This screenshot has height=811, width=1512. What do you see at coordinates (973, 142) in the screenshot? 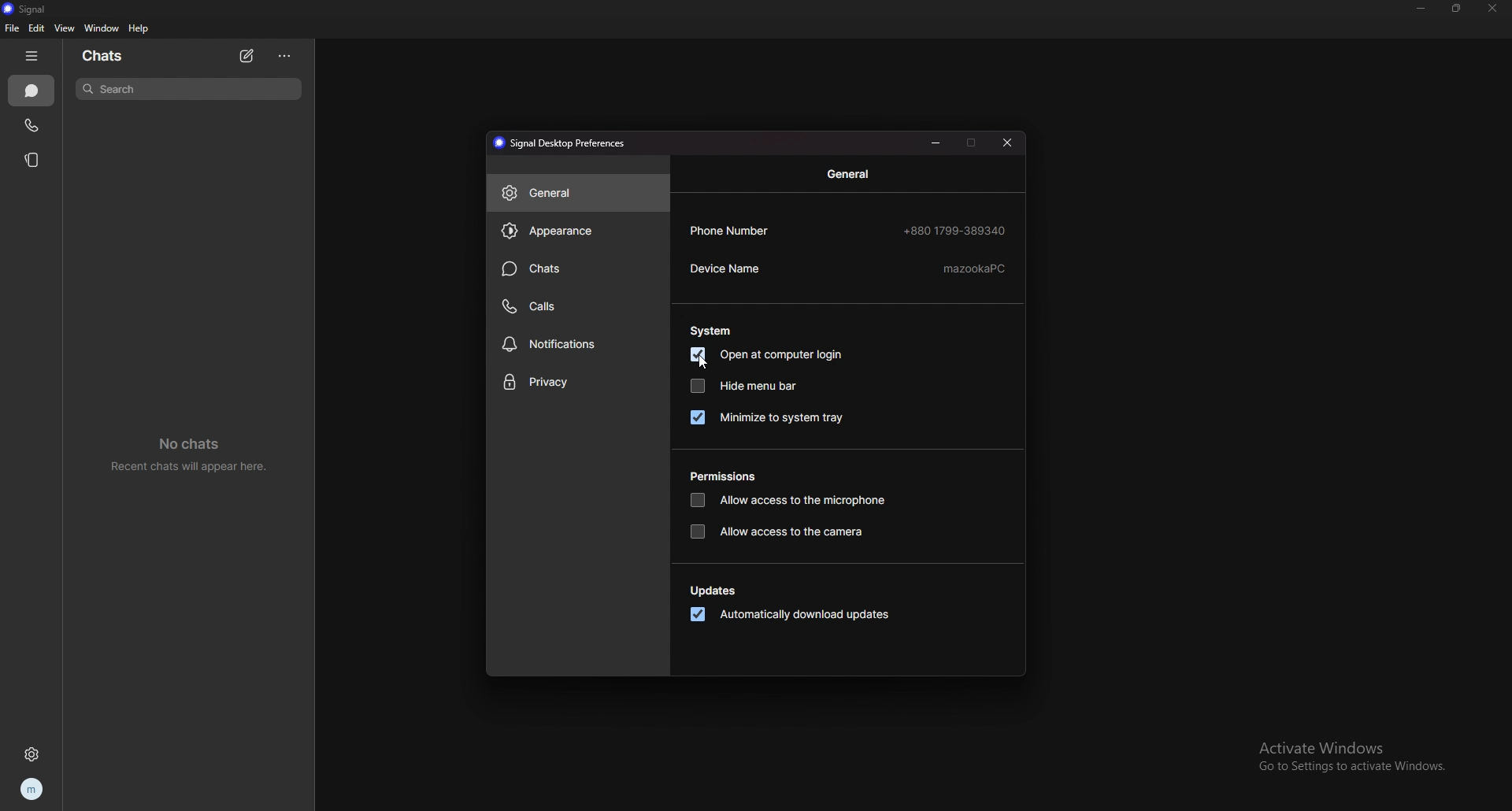
I see `maximize` at bounding box center [973, 142].